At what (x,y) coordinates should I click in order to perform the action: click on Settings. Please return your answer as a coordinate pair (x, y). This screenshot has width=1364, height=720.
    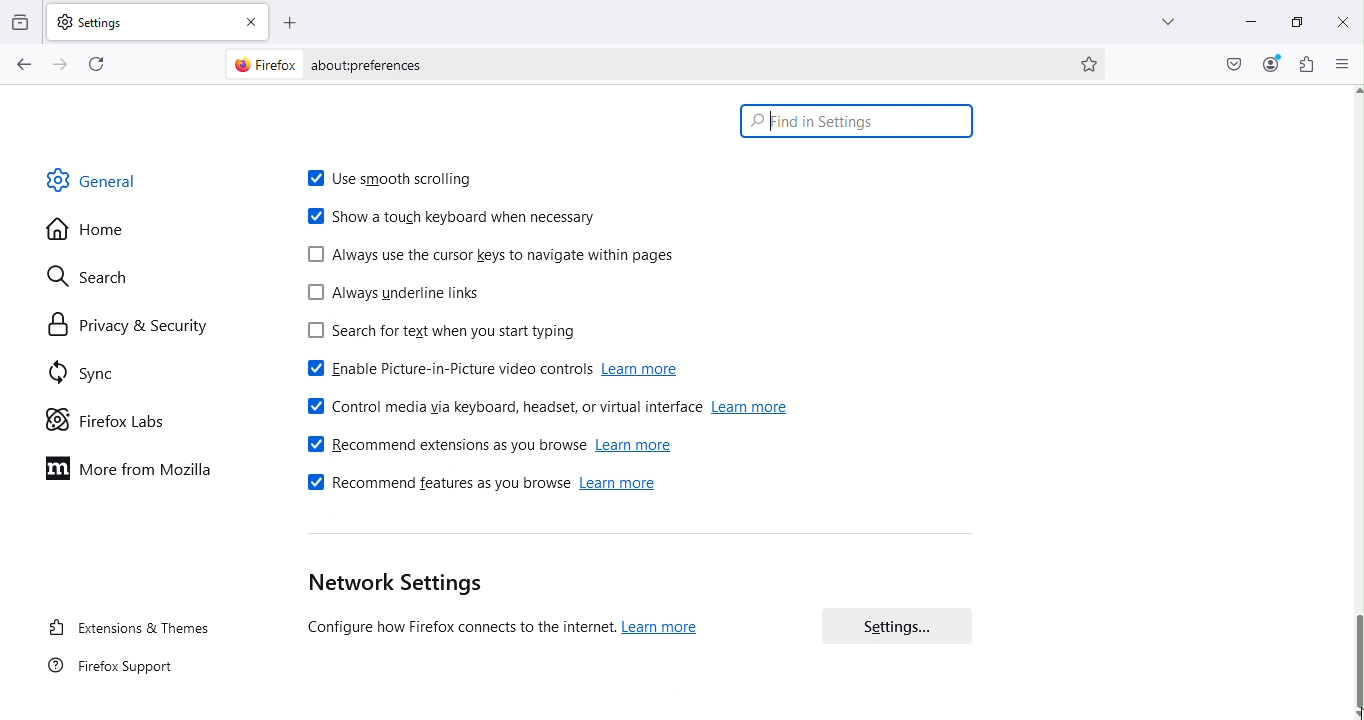
    Looking at the image, I should click on (141, 21).